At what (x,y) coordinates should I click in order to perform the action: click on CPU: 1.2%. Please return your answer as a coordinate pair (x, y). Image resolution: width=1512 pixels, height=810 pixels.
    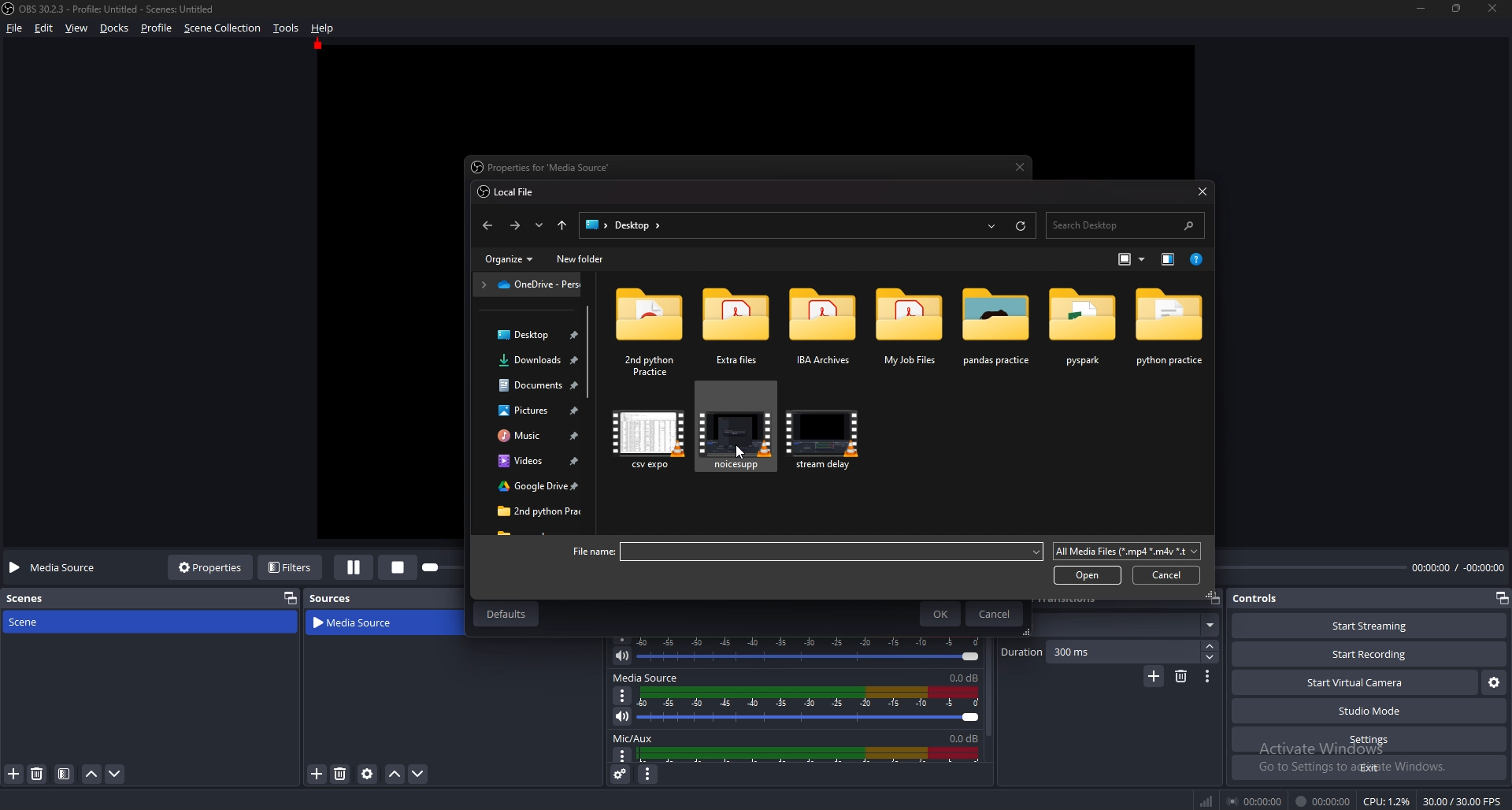
    Looking at the image, I should click on (1386, 801).